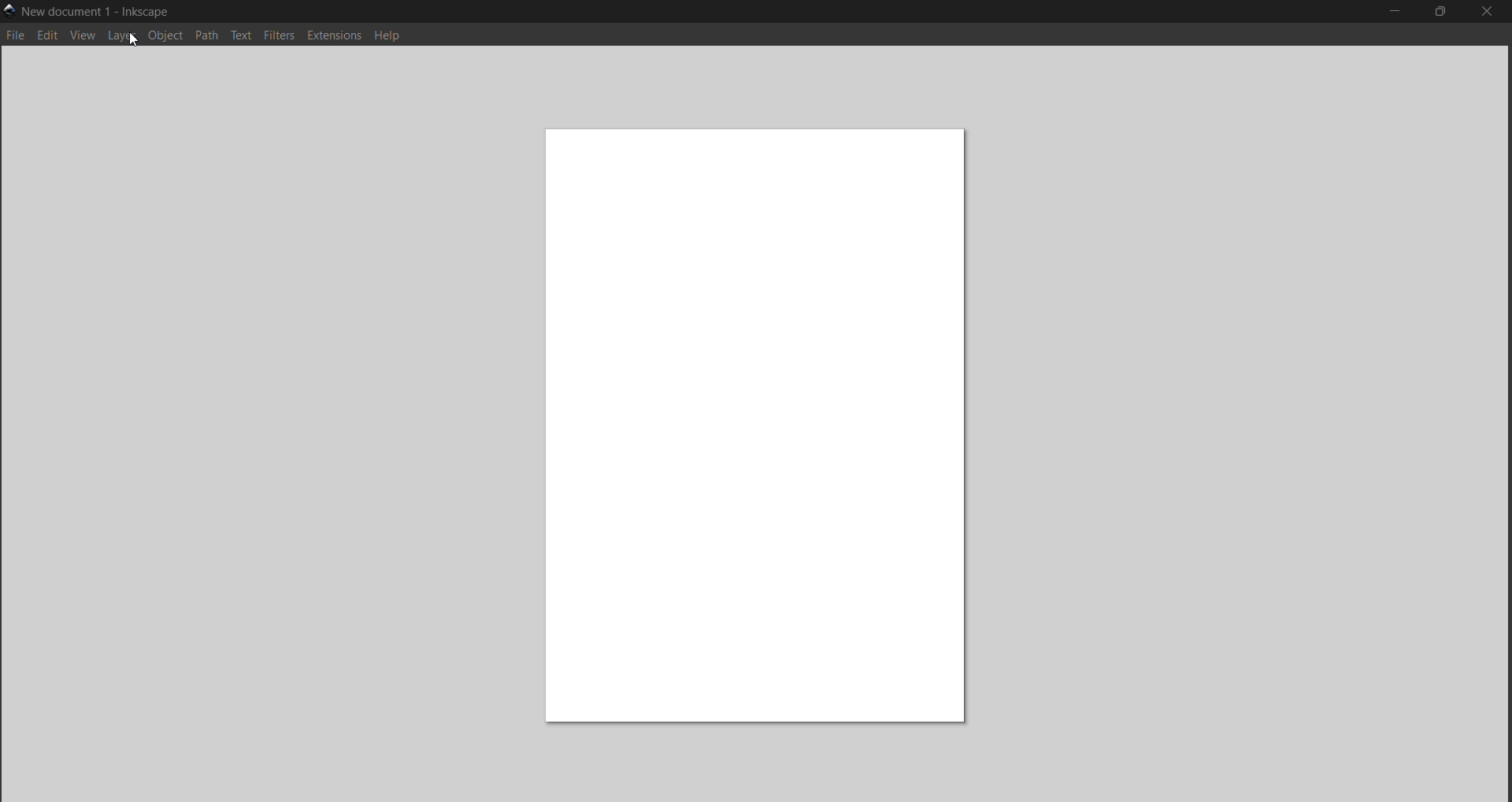 Image resolution: width=1512 pixels, height=802 pixels. I want to click on filters, so click(279, 36).